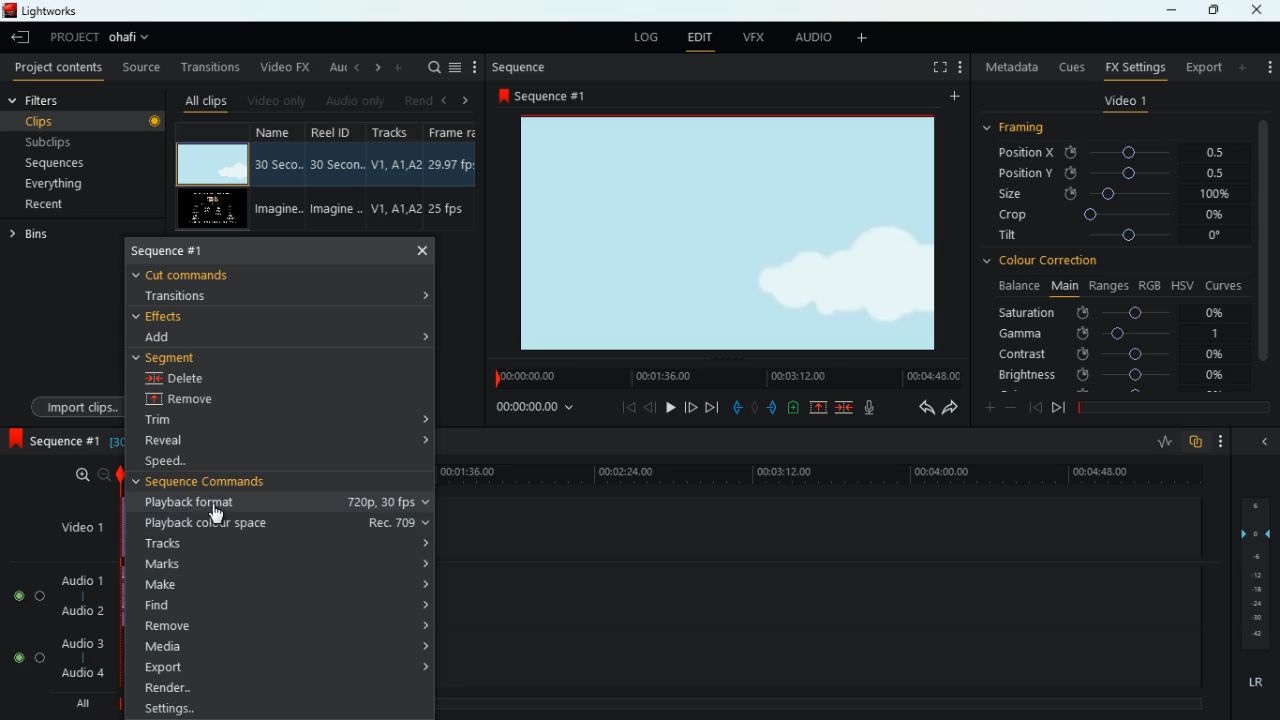  I want to click on close, so click(422, 252).